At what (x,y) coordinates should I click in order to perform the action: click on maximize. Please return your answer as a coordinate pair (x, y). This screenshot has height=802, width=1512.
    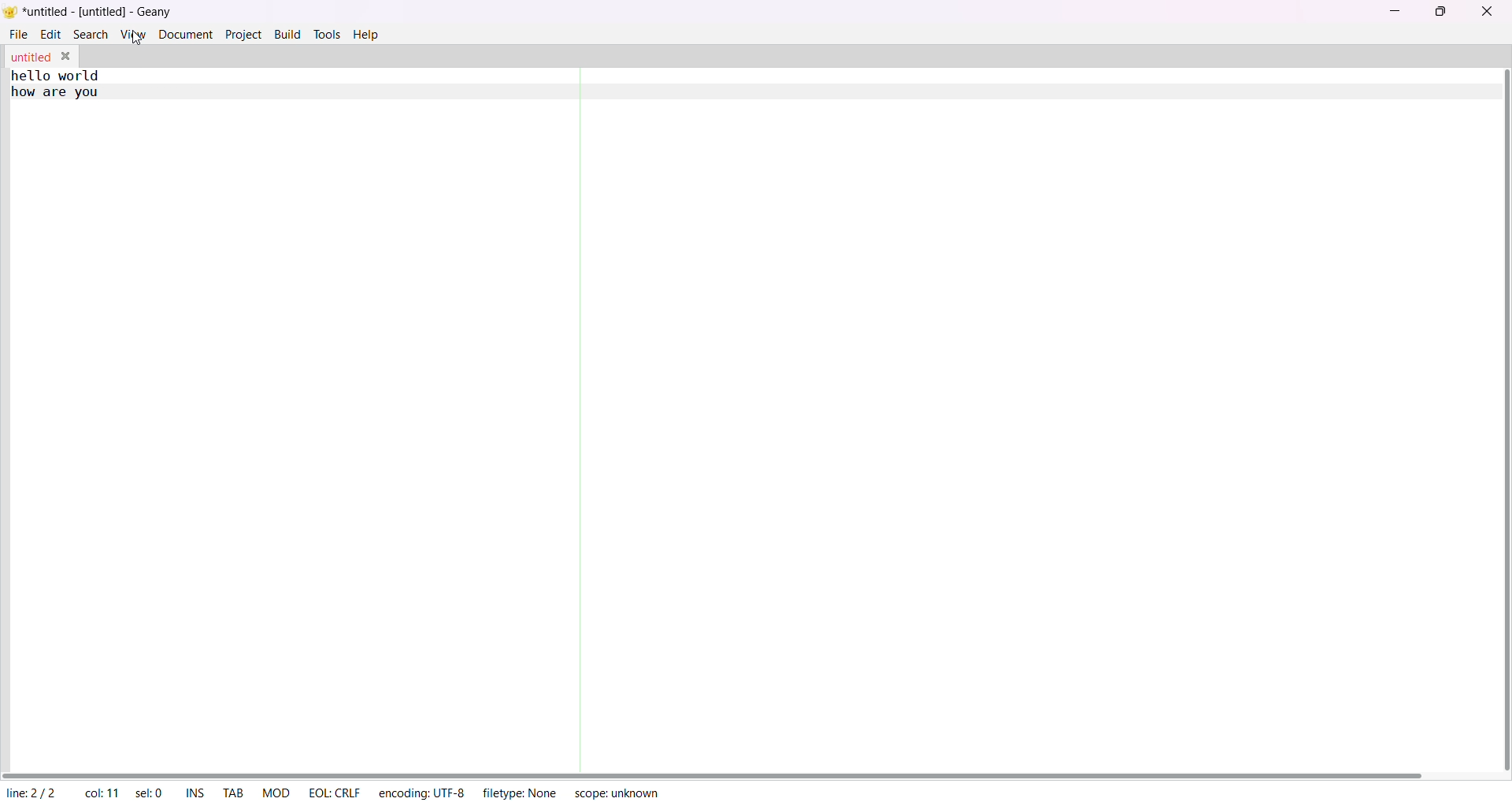
    Looking at the image, I should click on (1443, 12).